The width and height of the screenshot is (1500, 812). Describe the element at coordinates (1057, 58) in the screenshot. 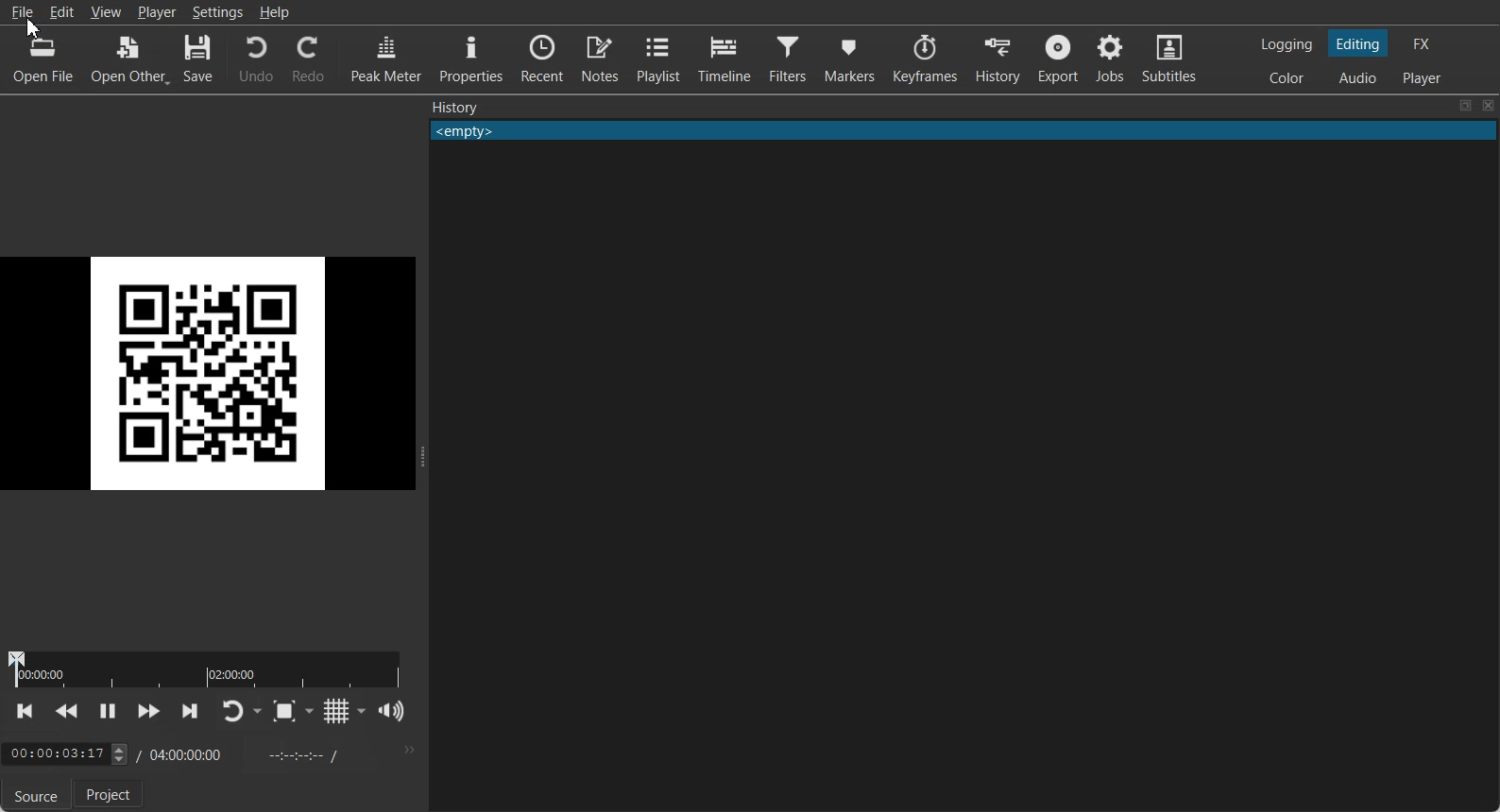

I see `Export` at that location.